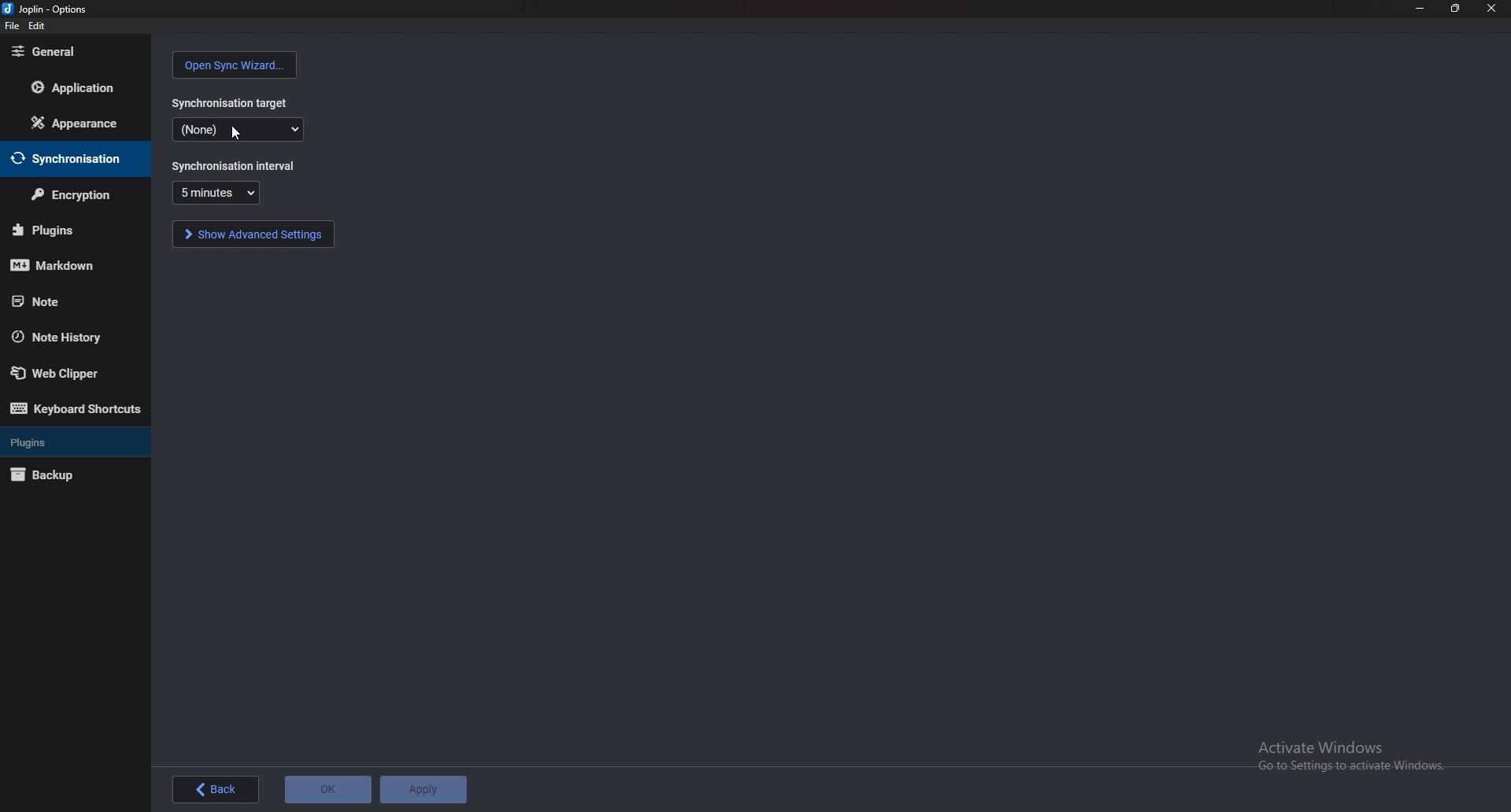 The height and width of the screenshot is (812, 1511). I want to click on Appearance, so click(70, 123).